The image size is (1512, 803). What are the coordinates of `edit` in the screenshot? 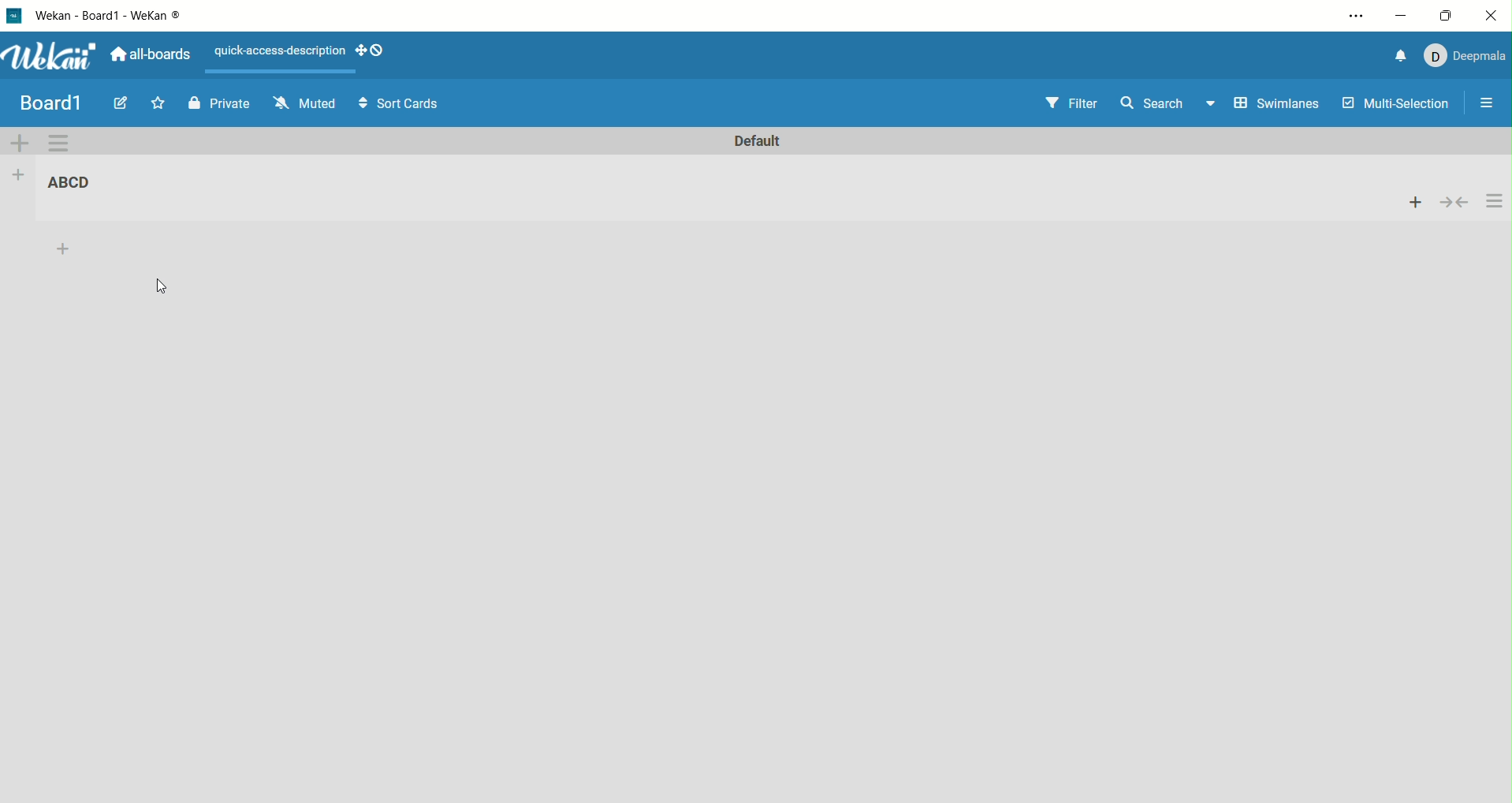 It's located at (117, 104).